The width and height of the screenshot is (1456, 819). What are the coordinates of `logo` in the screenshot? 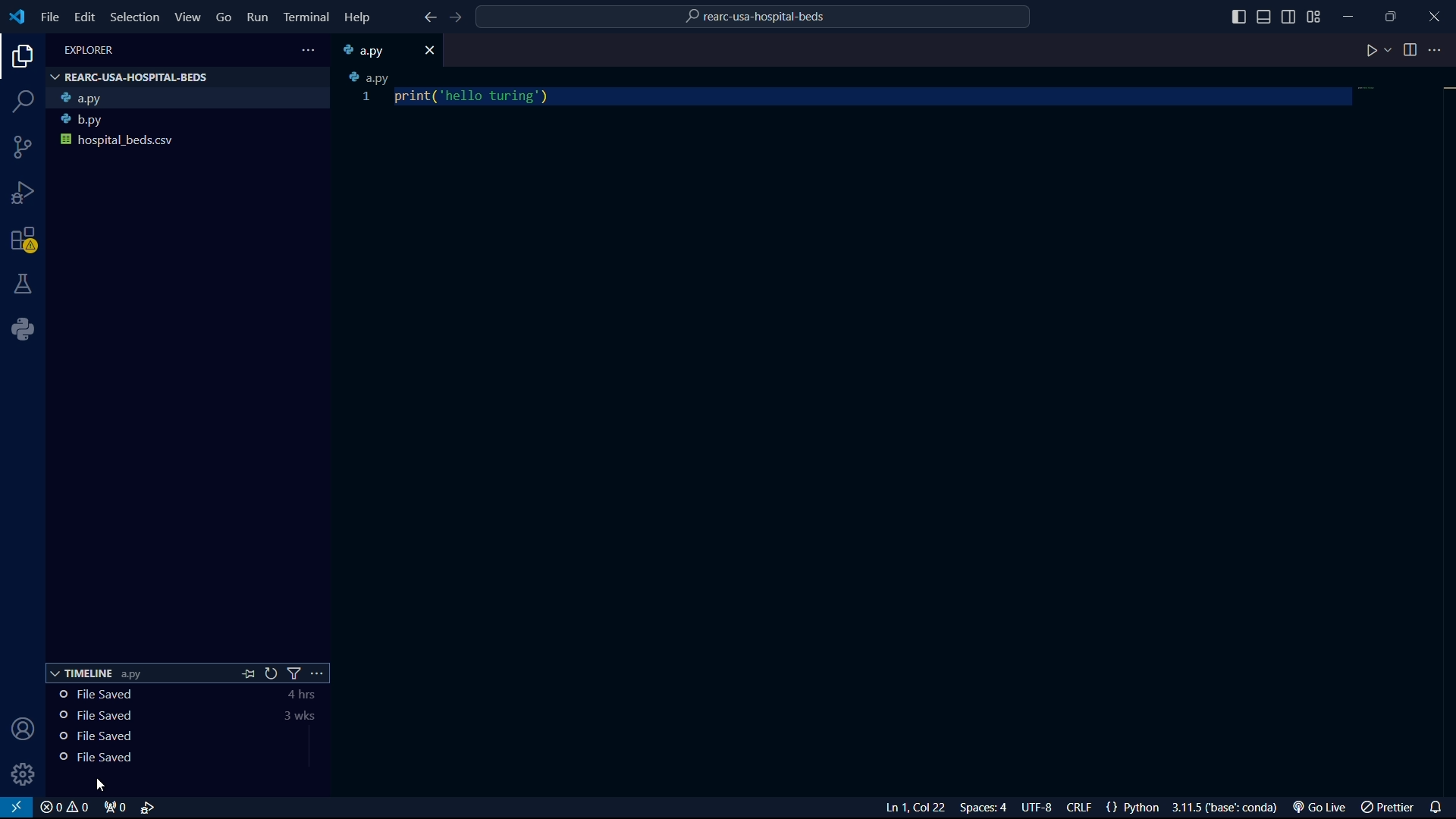 It's located at (17, 17).